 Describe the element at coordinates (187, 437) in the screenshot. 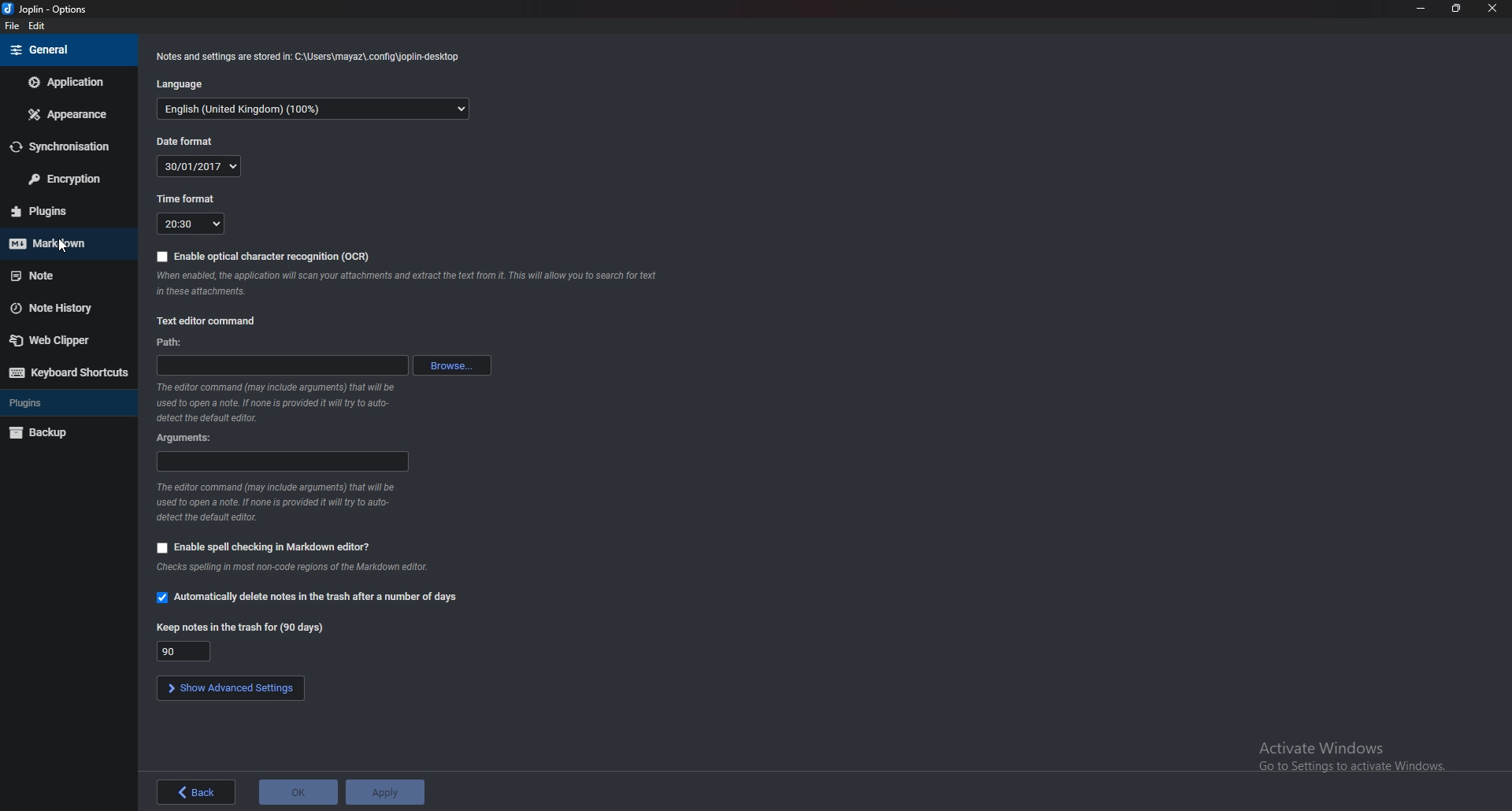

I see `Arguments` at that location.